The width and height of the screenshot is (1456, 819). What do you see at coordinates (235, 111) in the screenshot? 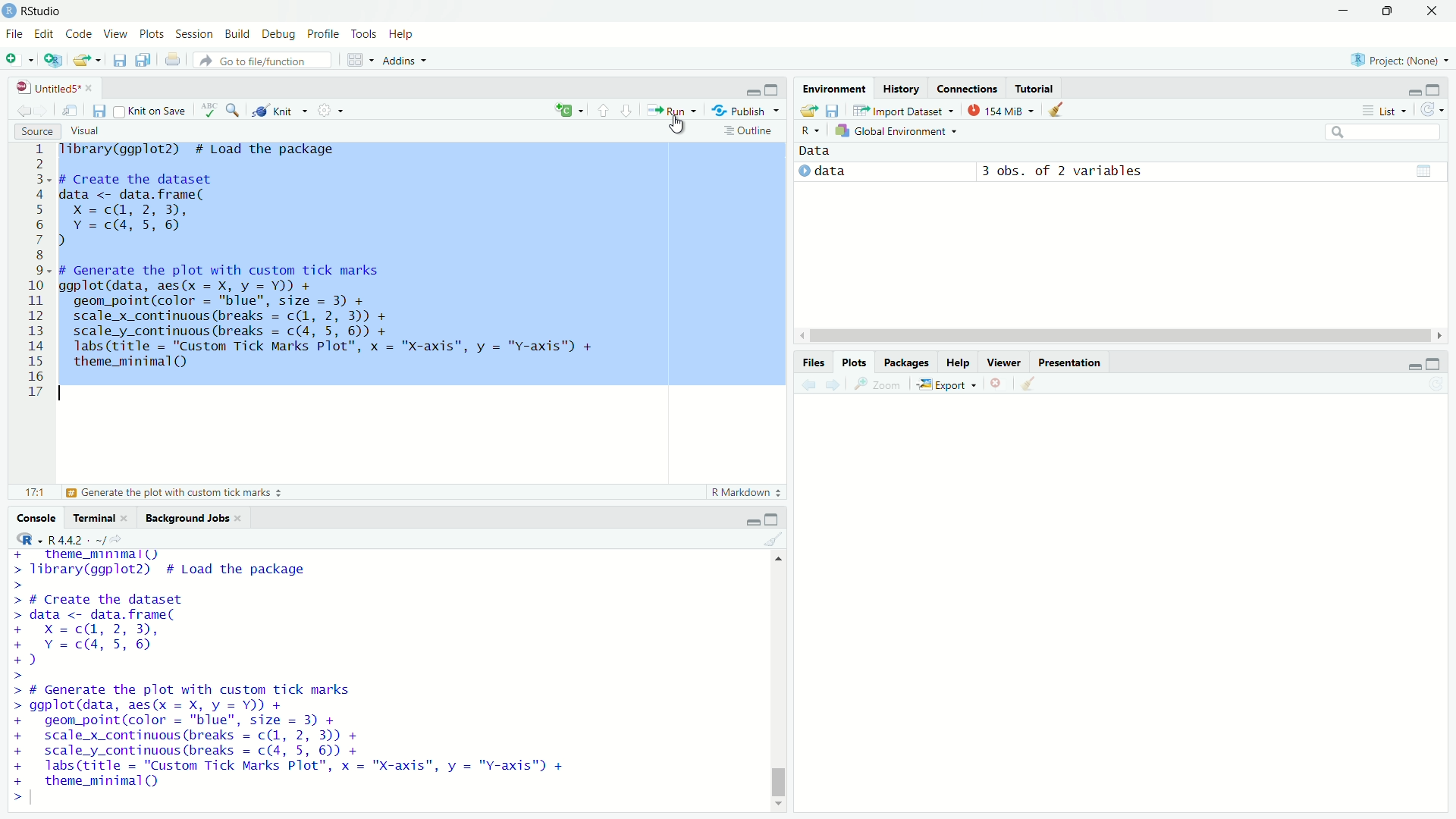
I see `find/replace` at bounding box center [235, 111].